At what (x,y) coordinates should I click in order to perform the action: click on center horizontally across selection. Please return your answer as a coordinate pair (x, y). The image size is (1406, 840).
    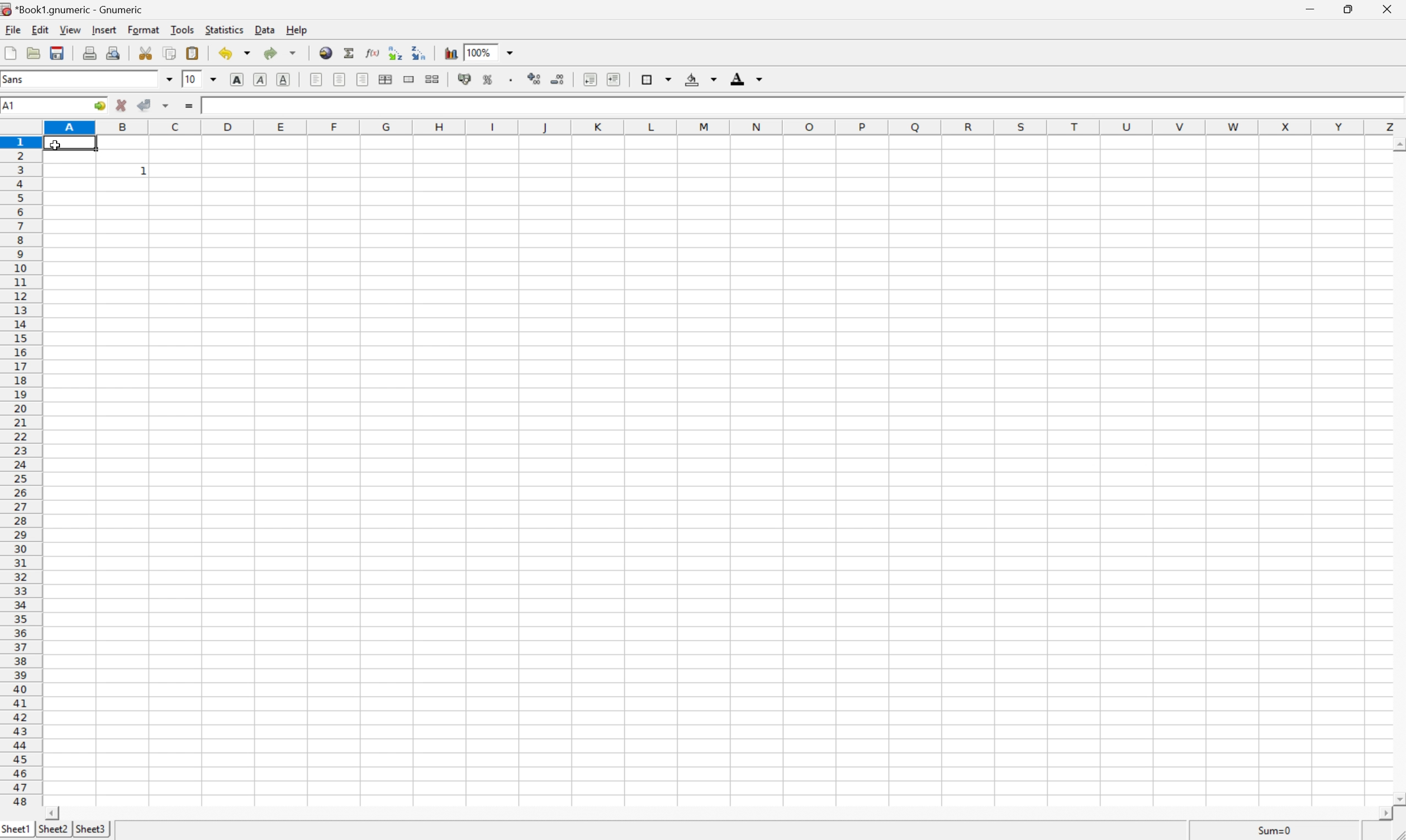
    Looking at the image, I should click on (384, 79).